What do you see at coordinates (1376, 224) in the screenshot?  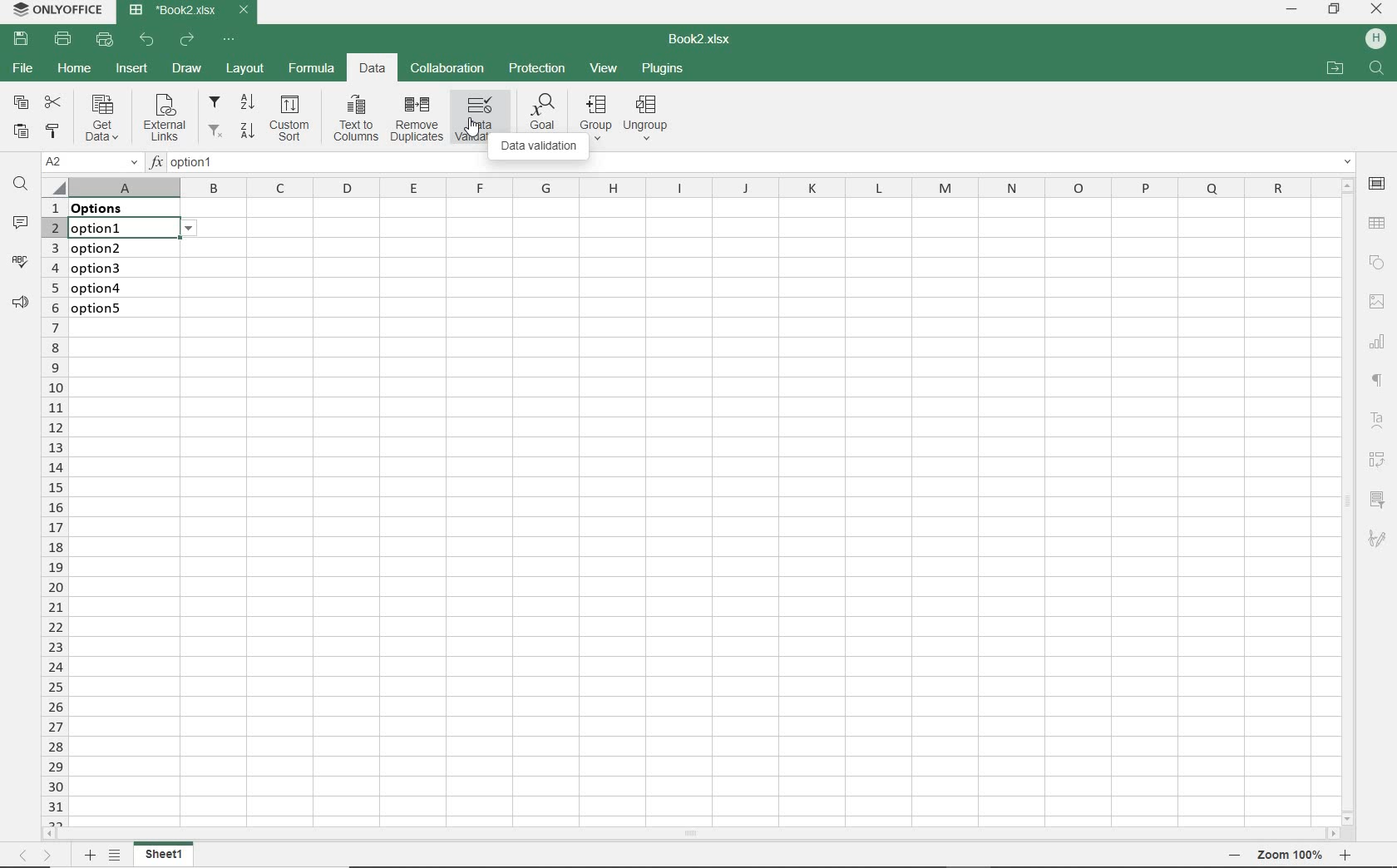 I see `TABLE` at bounding box center [1376, 224].